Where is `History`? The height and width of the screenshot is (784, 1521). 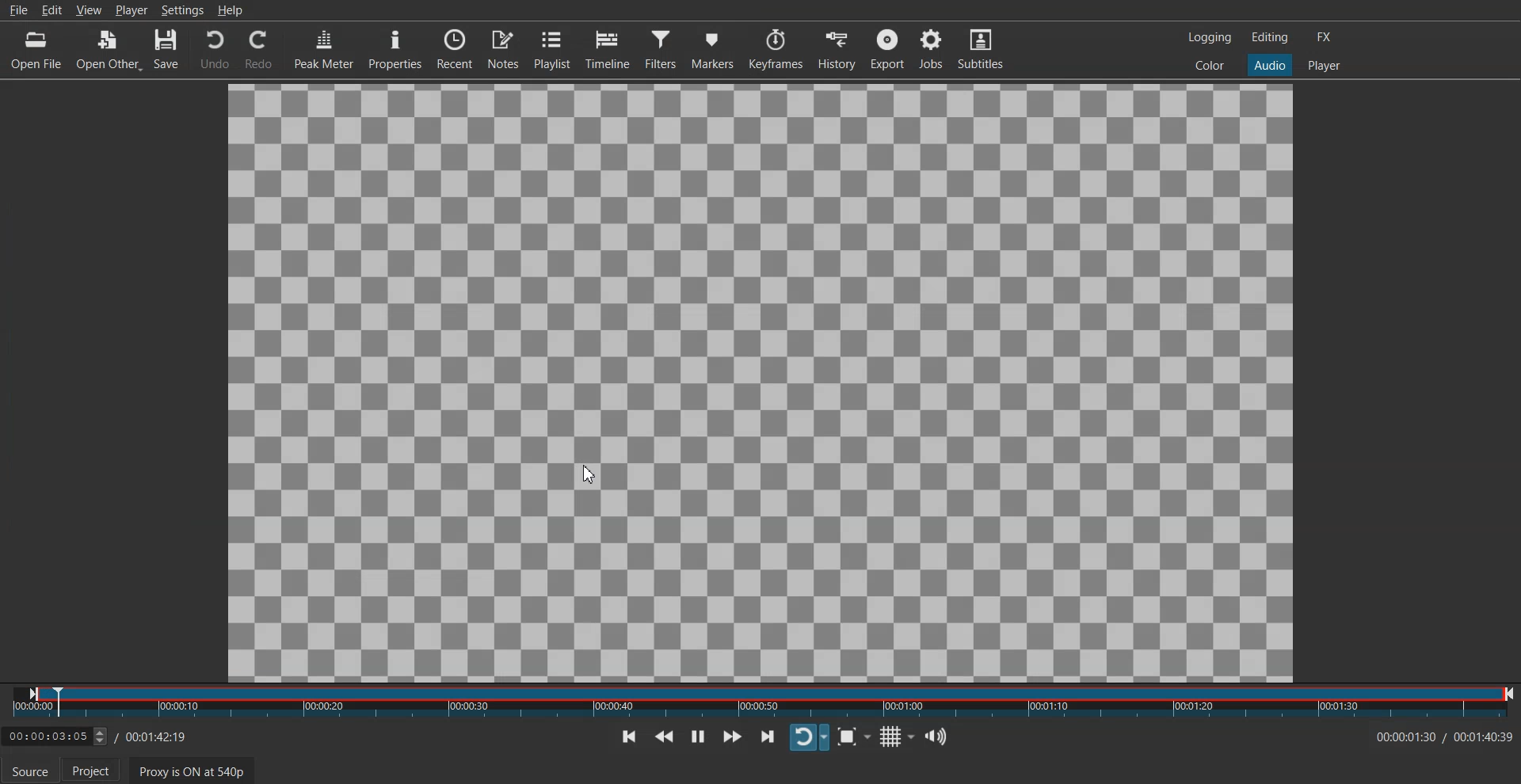 History is located at coordinates (839, 48).